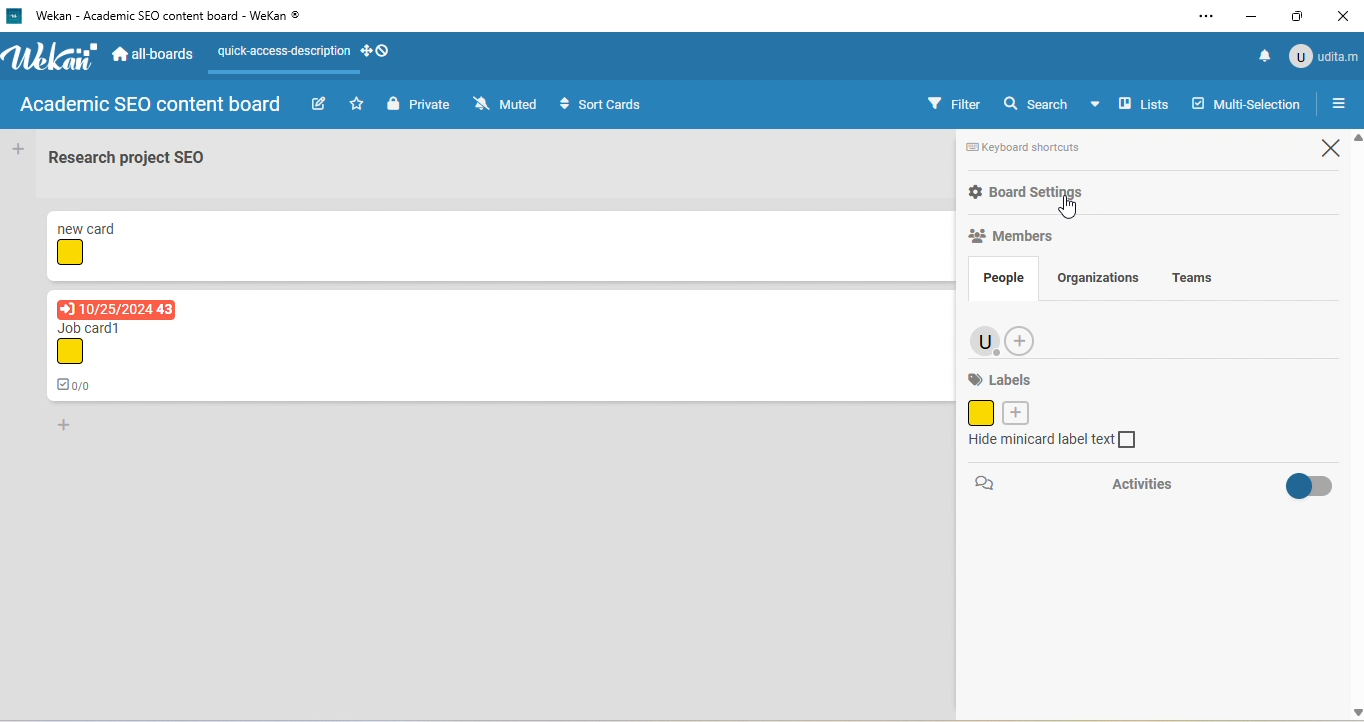 This screenshot has width=1364, height=722. What do you see at coordinates (1355, 138) in the screenshot?
I see `scroll up ` at bounding box center [1355, 138].